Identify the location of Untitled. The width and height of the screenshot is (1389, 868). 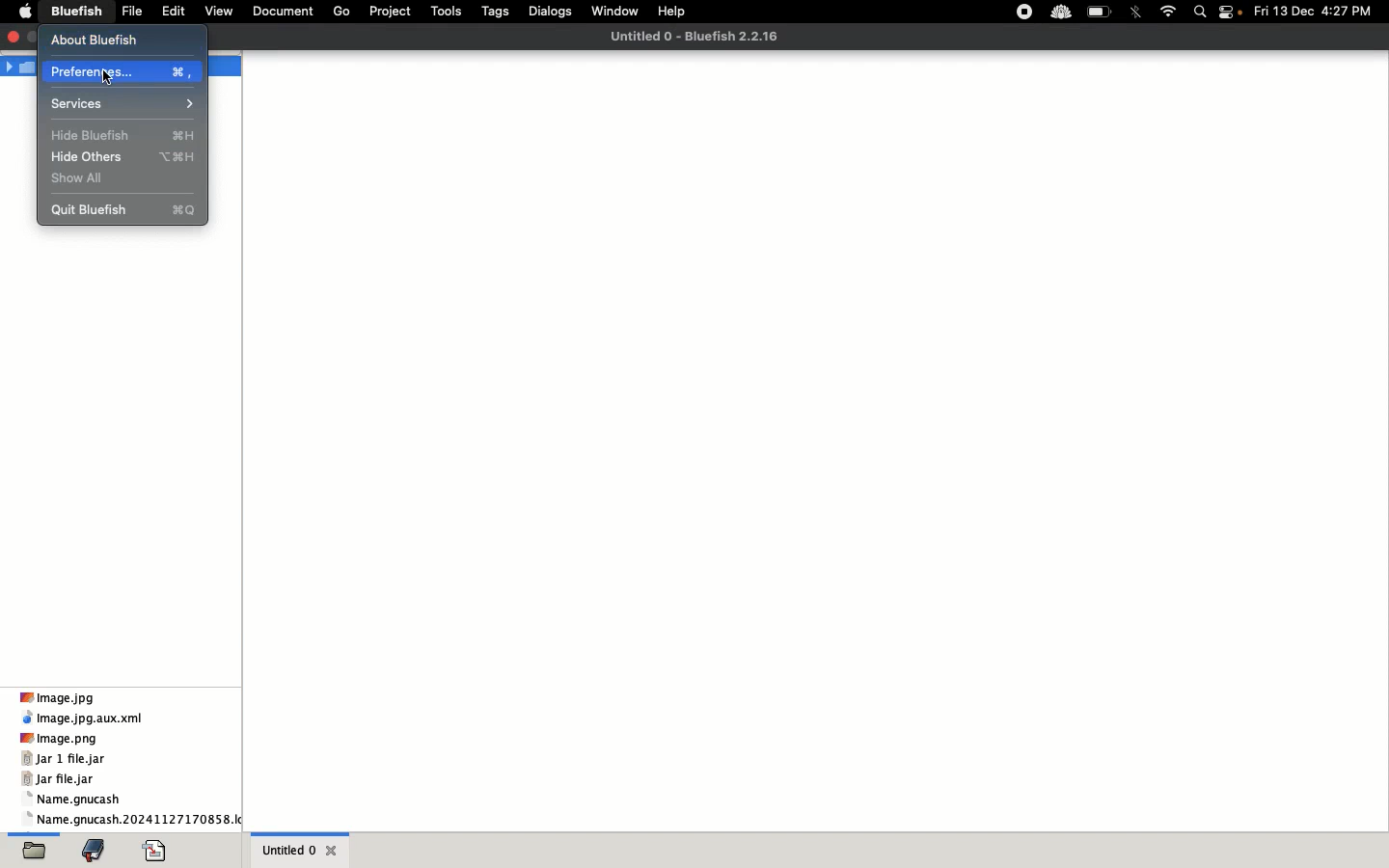
(301, 849).